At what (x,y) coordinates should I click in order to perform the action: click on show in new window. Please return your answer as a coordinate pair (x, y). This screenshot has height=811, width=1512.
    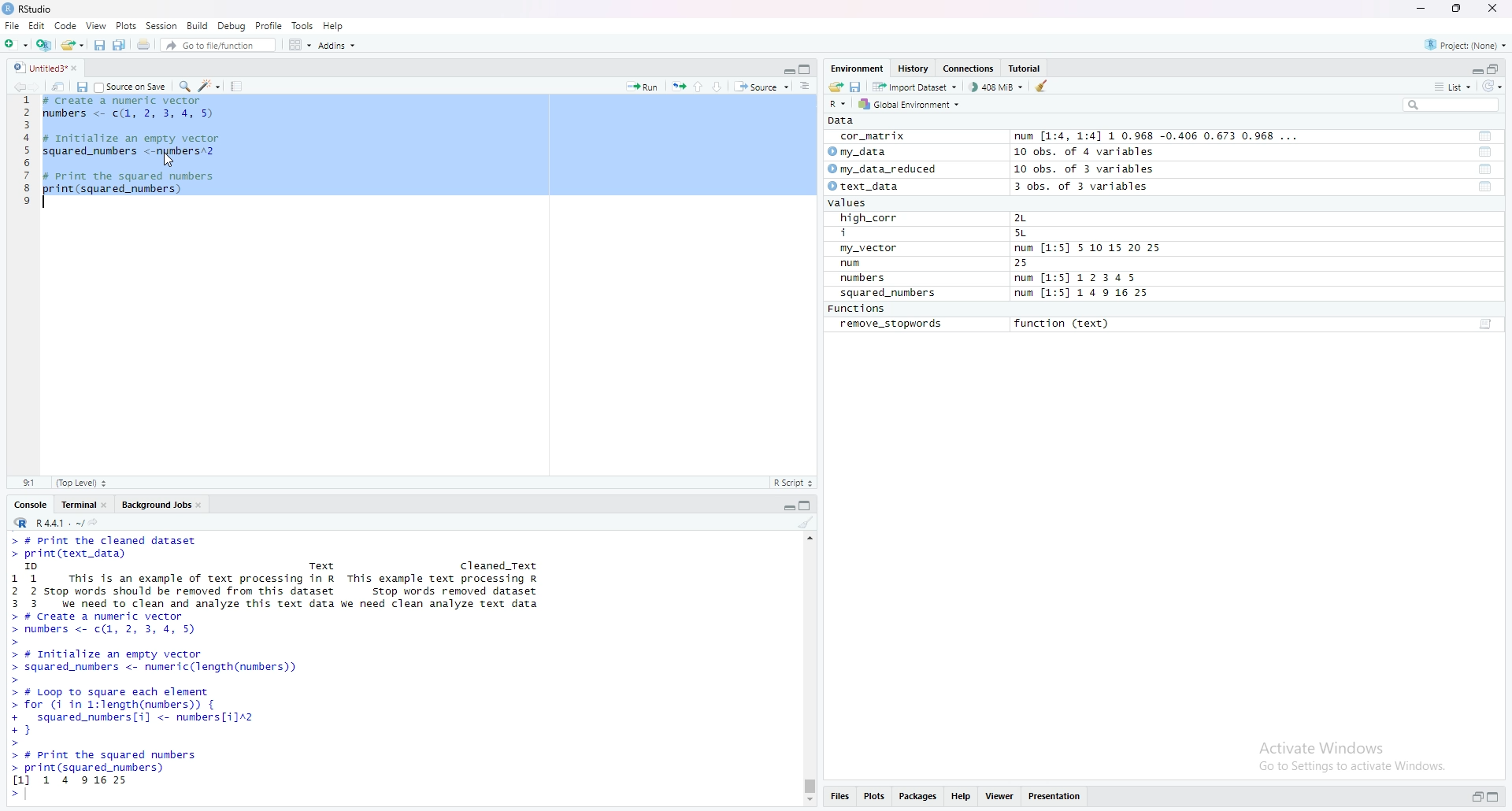
    Looking at the image, I should click on (58, 85).